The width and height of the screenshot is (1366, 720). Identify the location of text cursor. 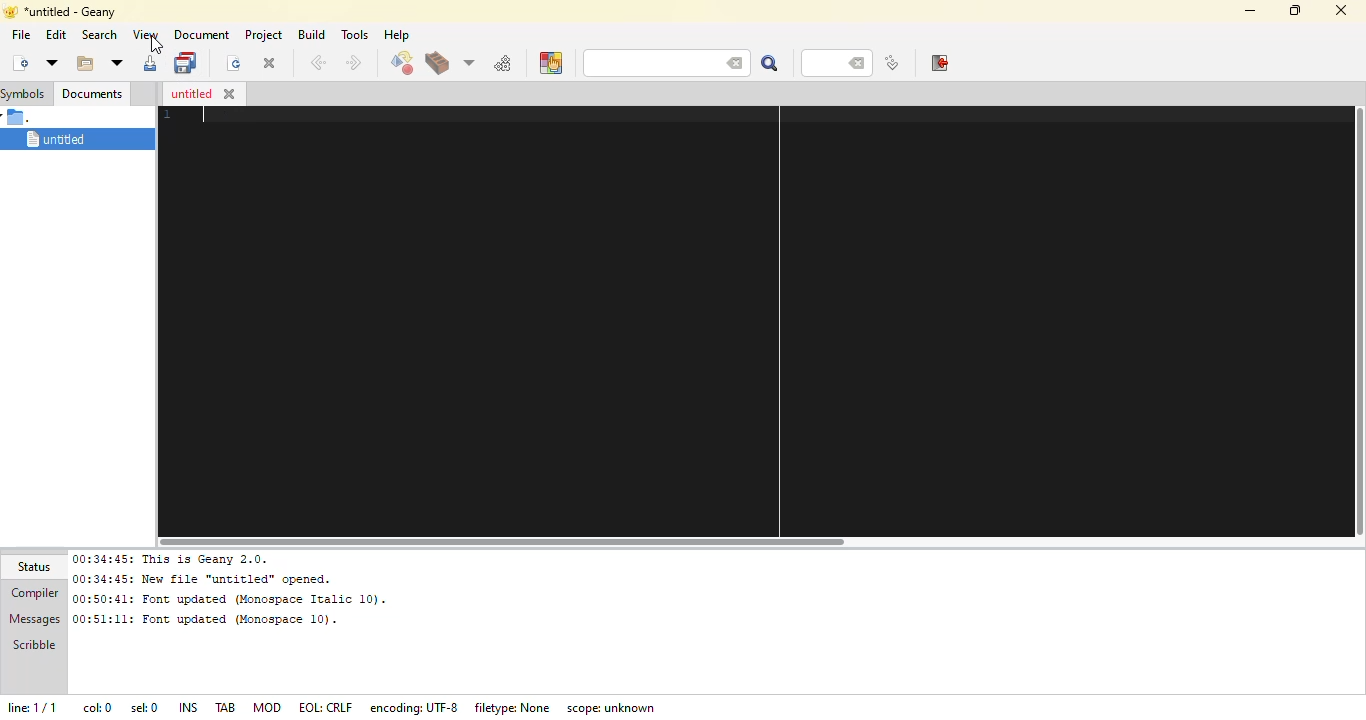
(206, 115).